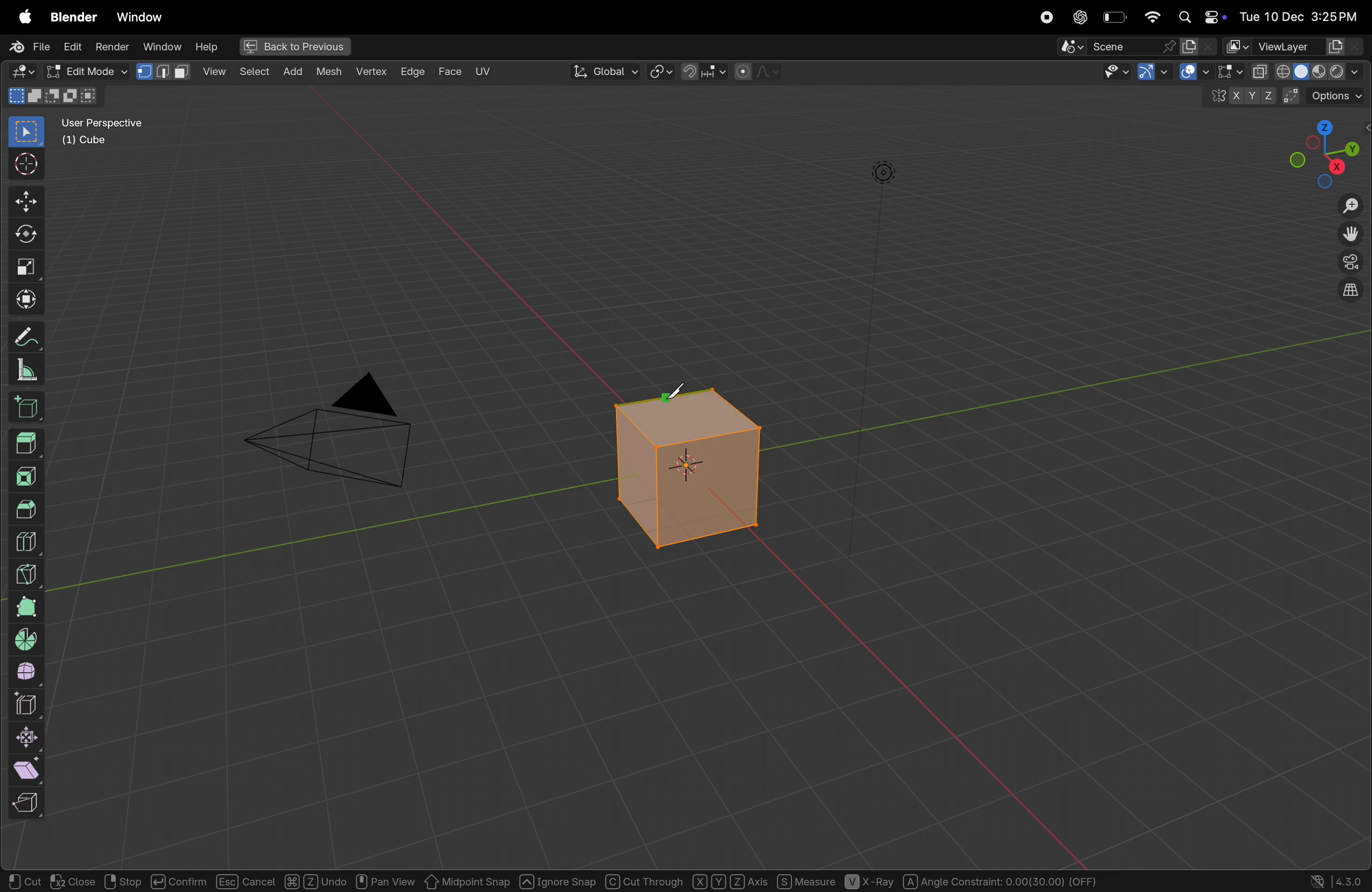 Image resolution: width=1372 pixels, height=892 pixels. Describe the element at coordinates (121, 881) in the screenshot. I see `Stop` at that location.